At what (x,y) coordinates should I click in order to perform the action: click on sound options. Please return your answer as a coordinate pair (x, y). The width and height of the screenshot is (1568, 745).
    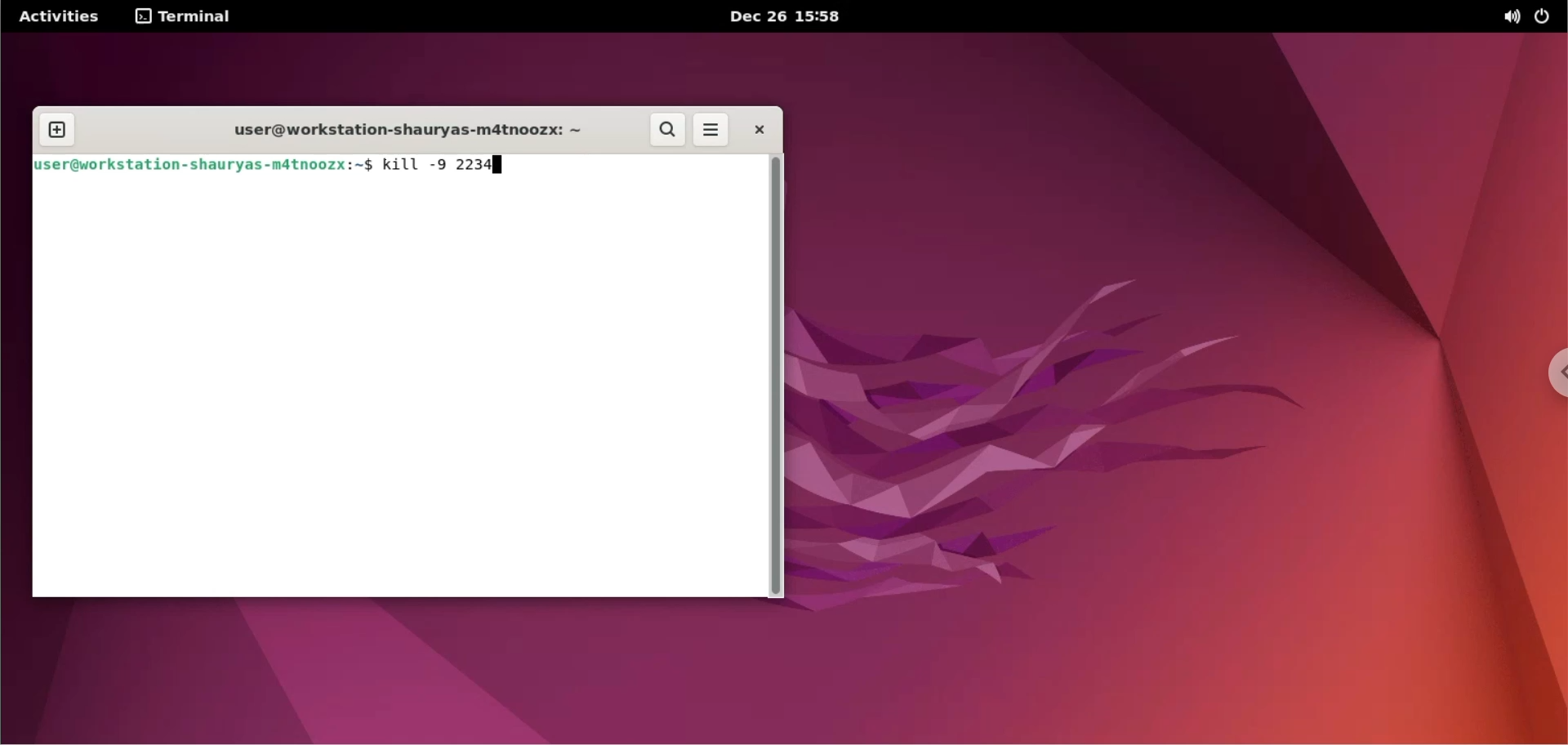
    Looking at the image, I should click on (1516, 16).